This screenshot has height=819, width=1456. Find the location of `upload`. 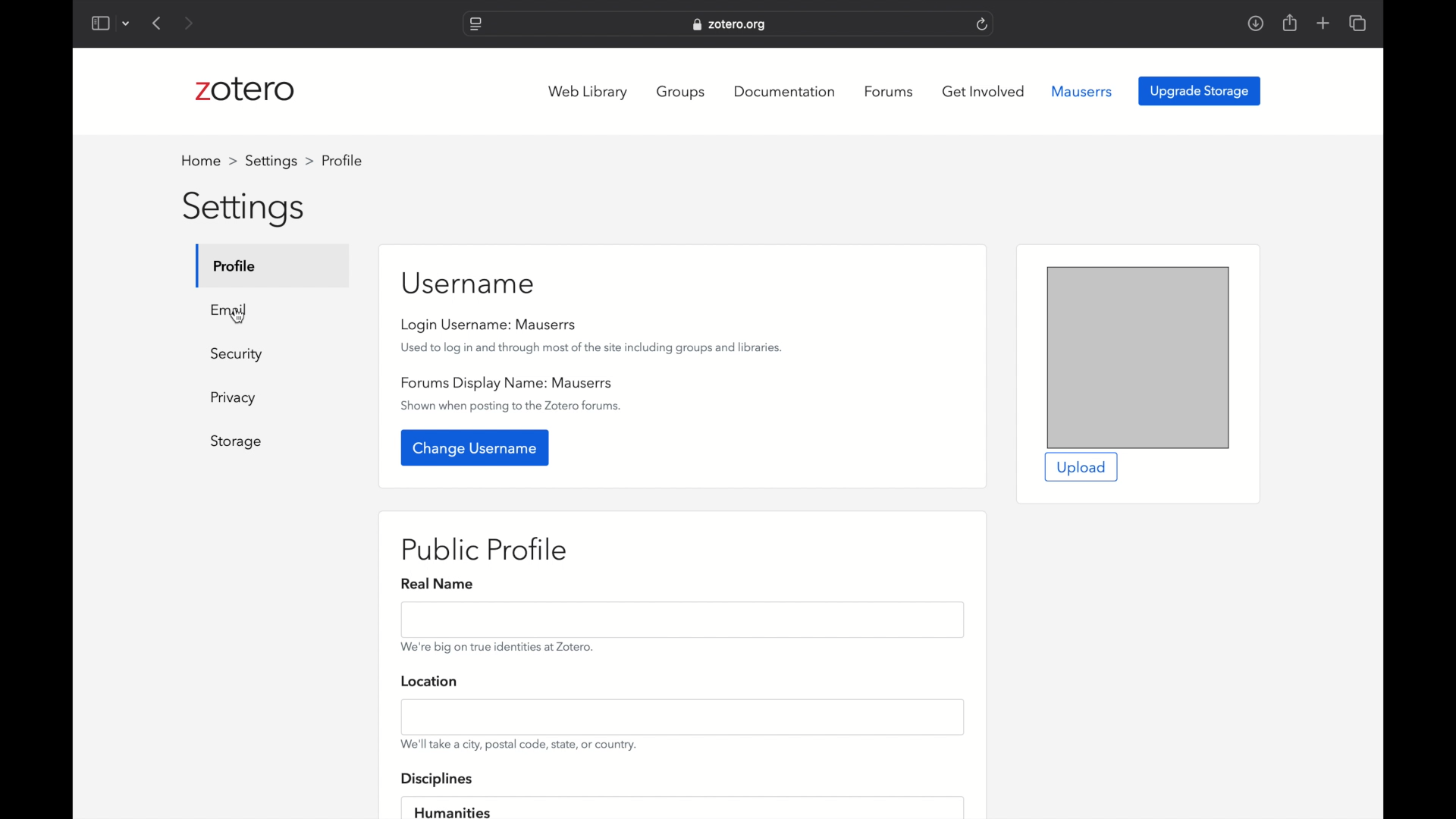

upload is located at coordinates (1081, 468).